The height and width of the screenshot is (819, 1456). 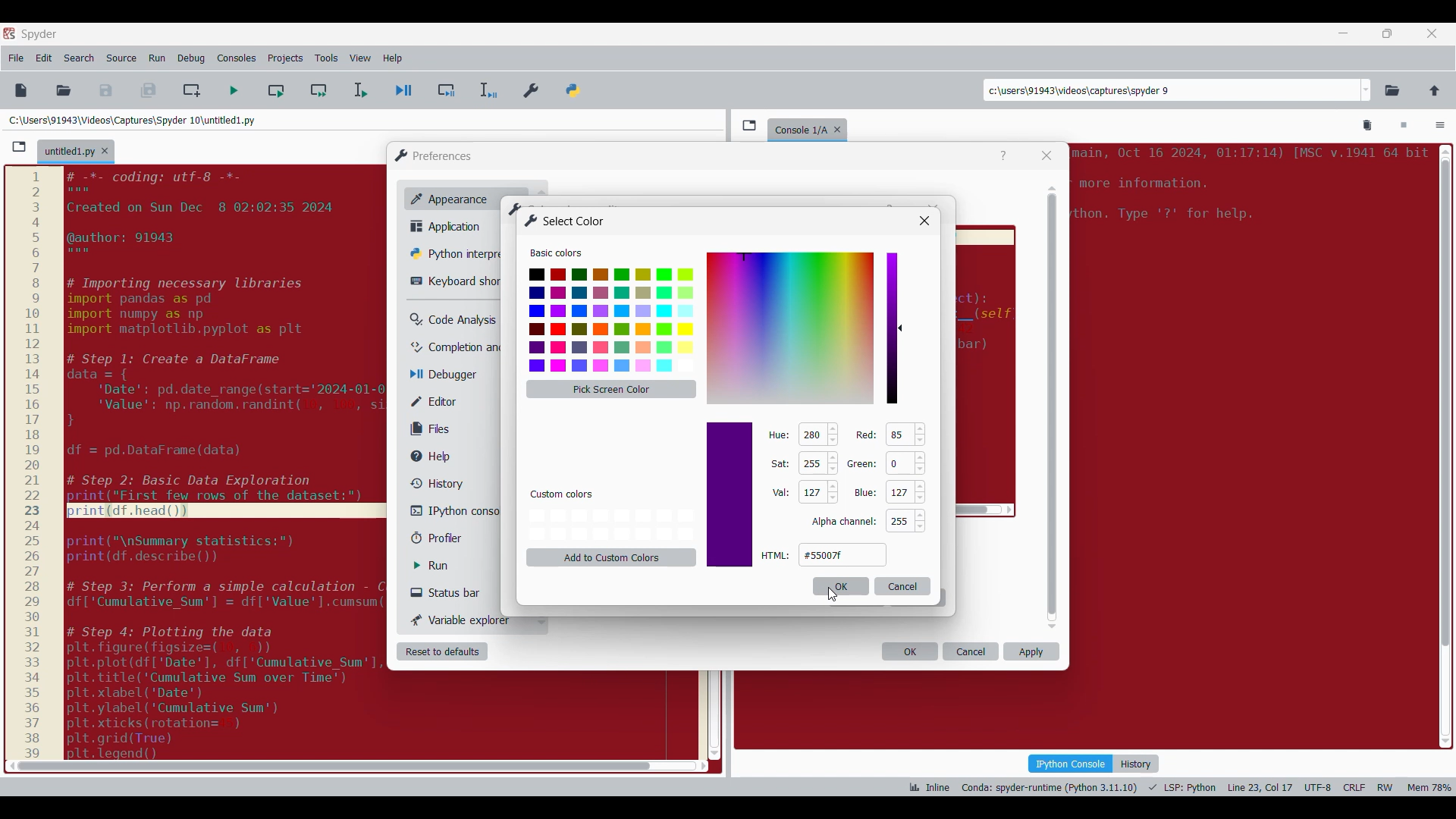 I want to click on Create new cell at current line, so click(x=192, y=90).